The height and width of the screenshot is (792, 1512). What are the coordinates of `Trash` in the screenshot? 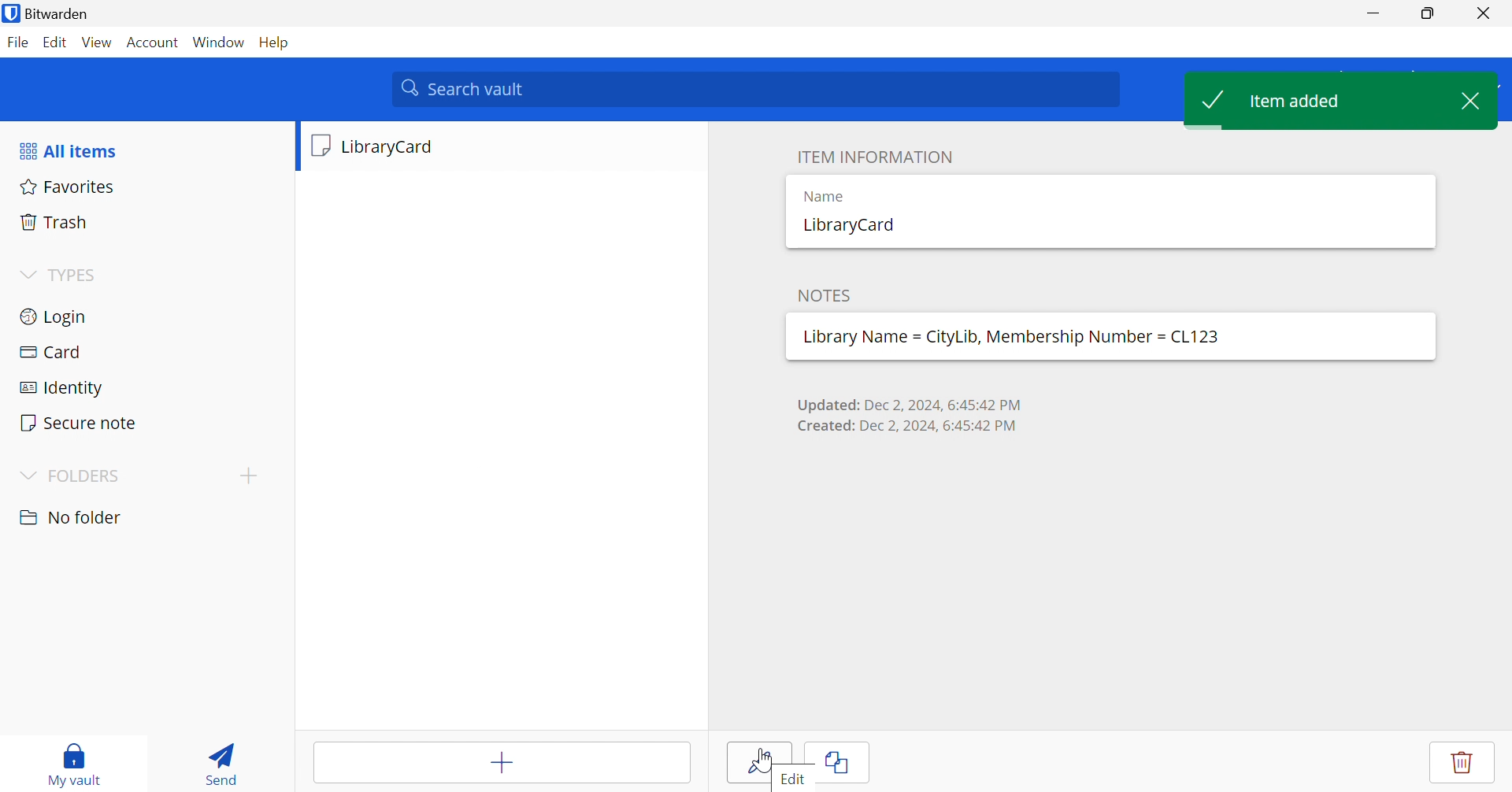 It's located at (147, 221).